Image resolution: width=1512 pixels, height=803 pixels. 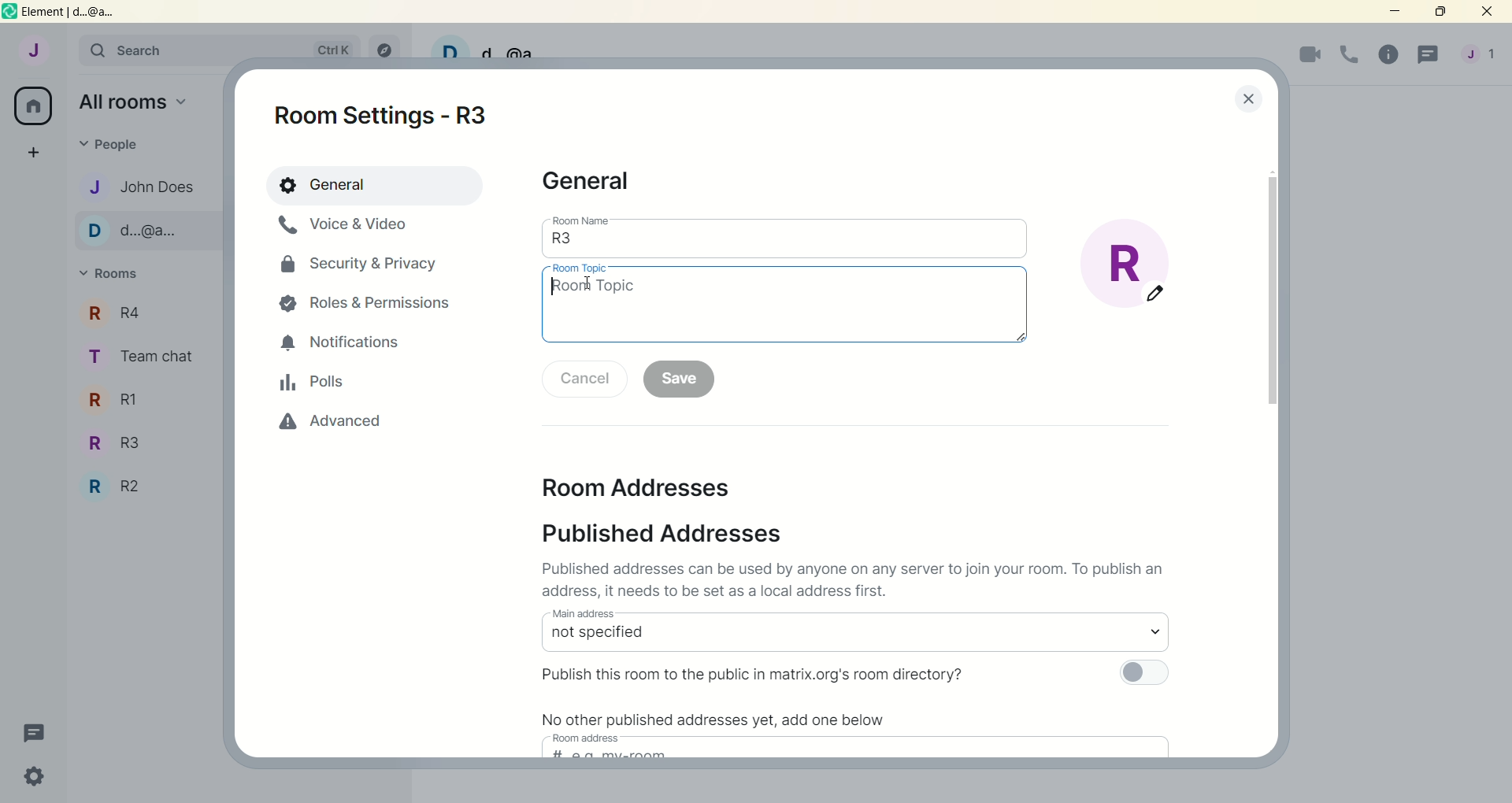 What do you see at coordinates (313, 380) in the screenshot?
I see `polls` at bounding box center [313, 380].